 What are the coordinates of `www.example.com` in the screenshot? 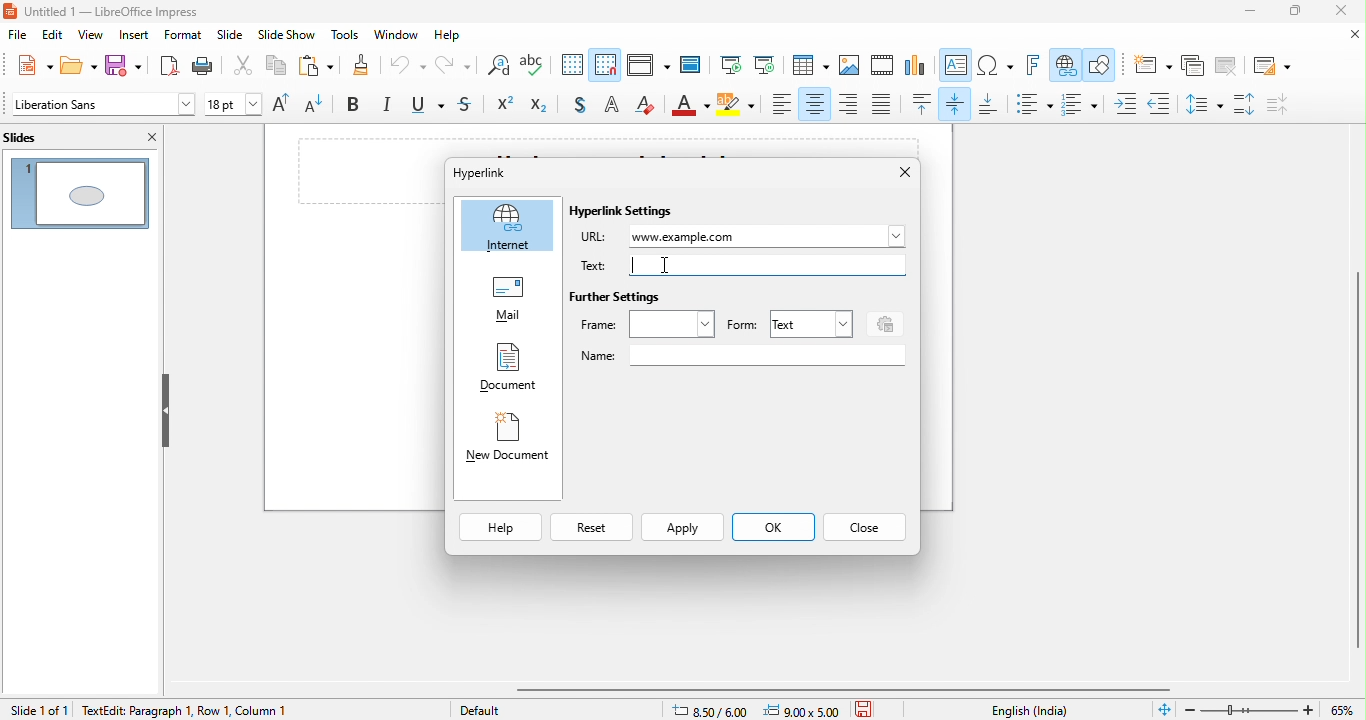 It's located at (770, 236).